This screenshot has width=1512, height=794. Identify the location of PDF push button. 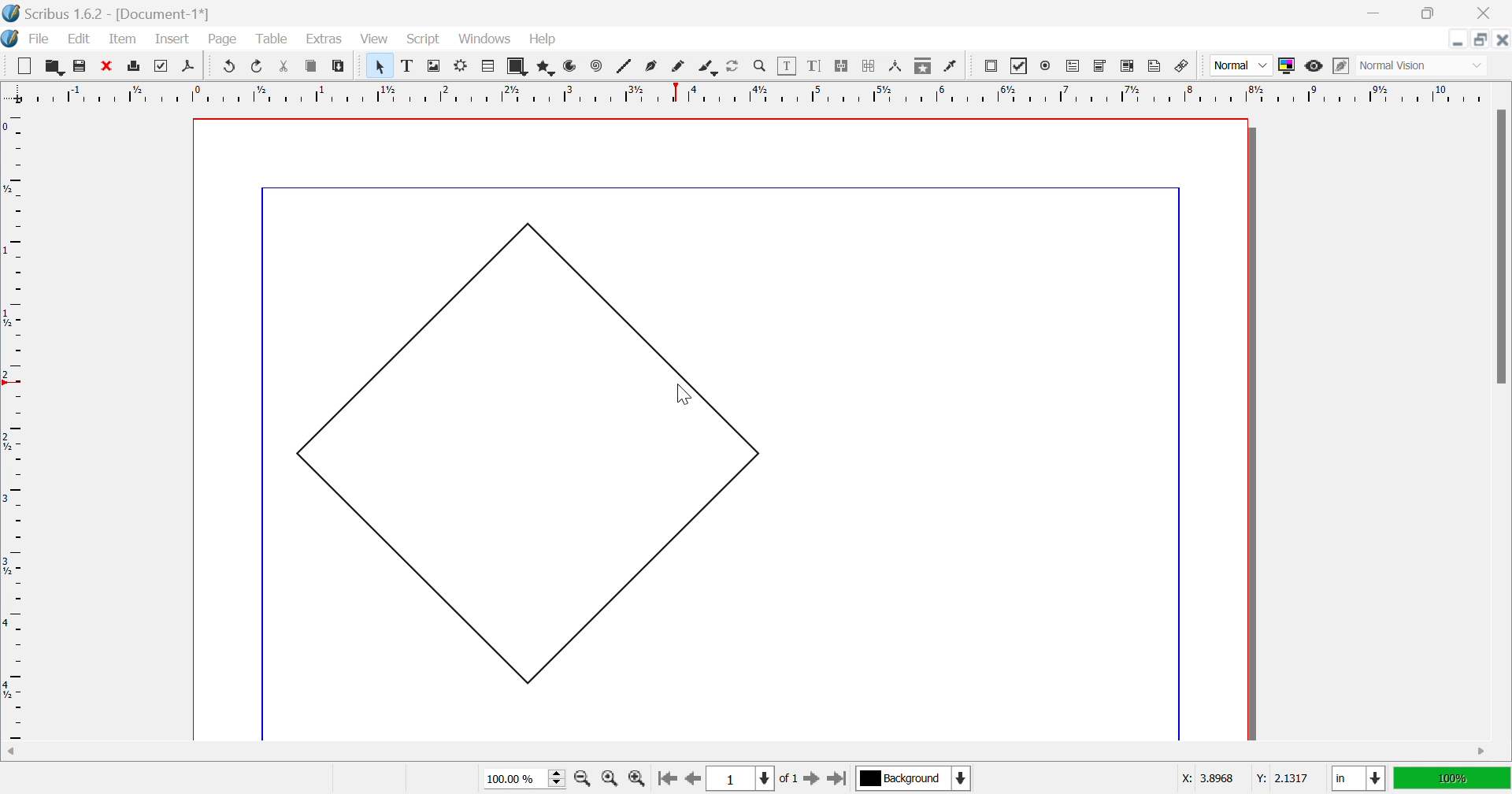
(993, 65).